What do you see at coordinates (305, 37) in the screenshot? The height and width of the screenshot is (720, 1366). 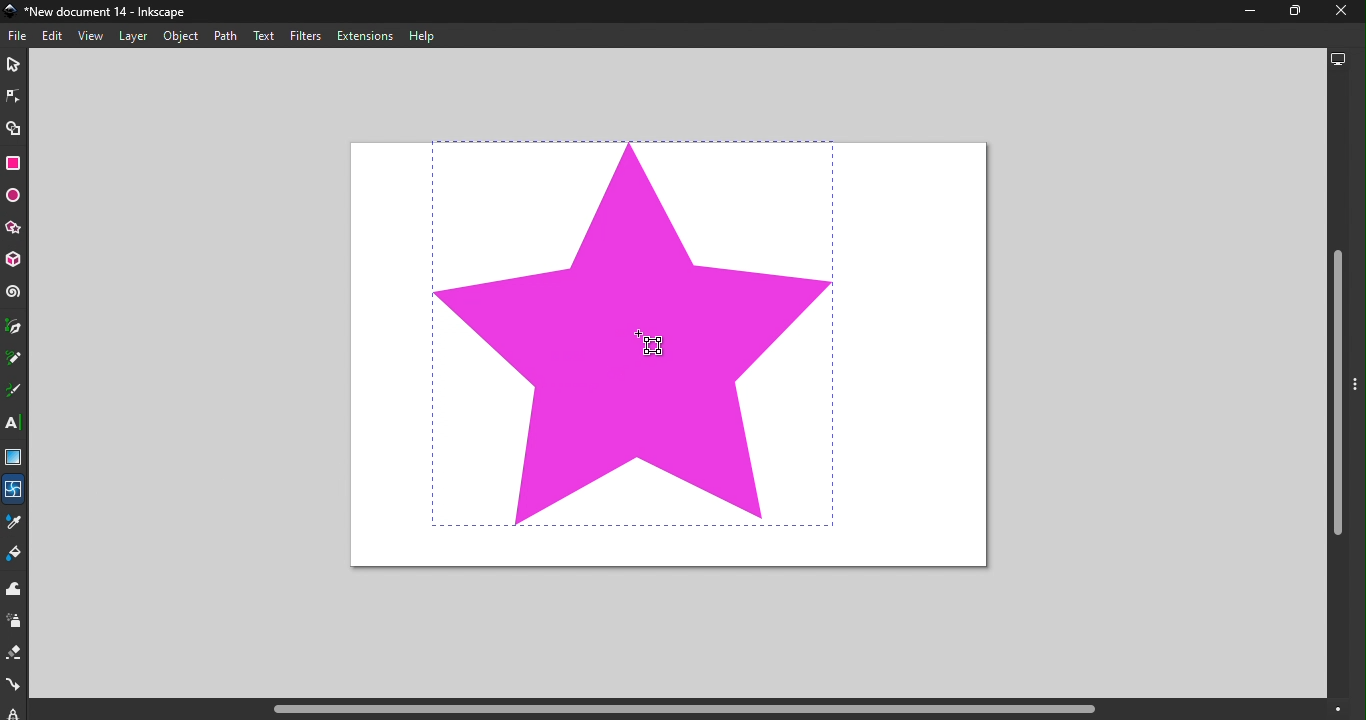 I see `Filters` at bounding box center [305, 37].